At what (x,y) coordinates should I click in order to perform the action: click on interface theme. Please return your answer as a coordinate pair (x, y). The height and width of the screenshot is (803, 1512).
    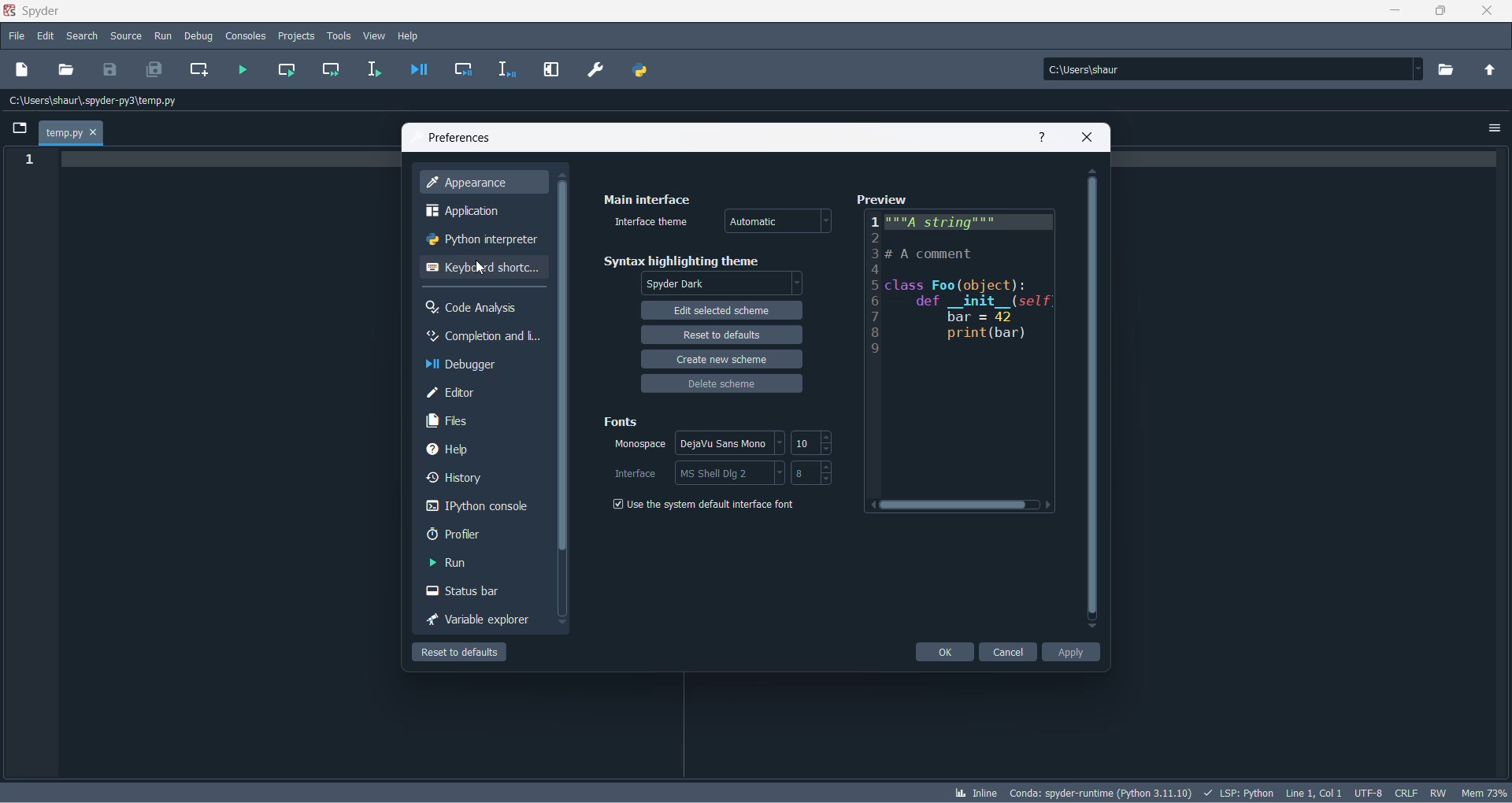
    Looking at the image, I should click on (651, 220).